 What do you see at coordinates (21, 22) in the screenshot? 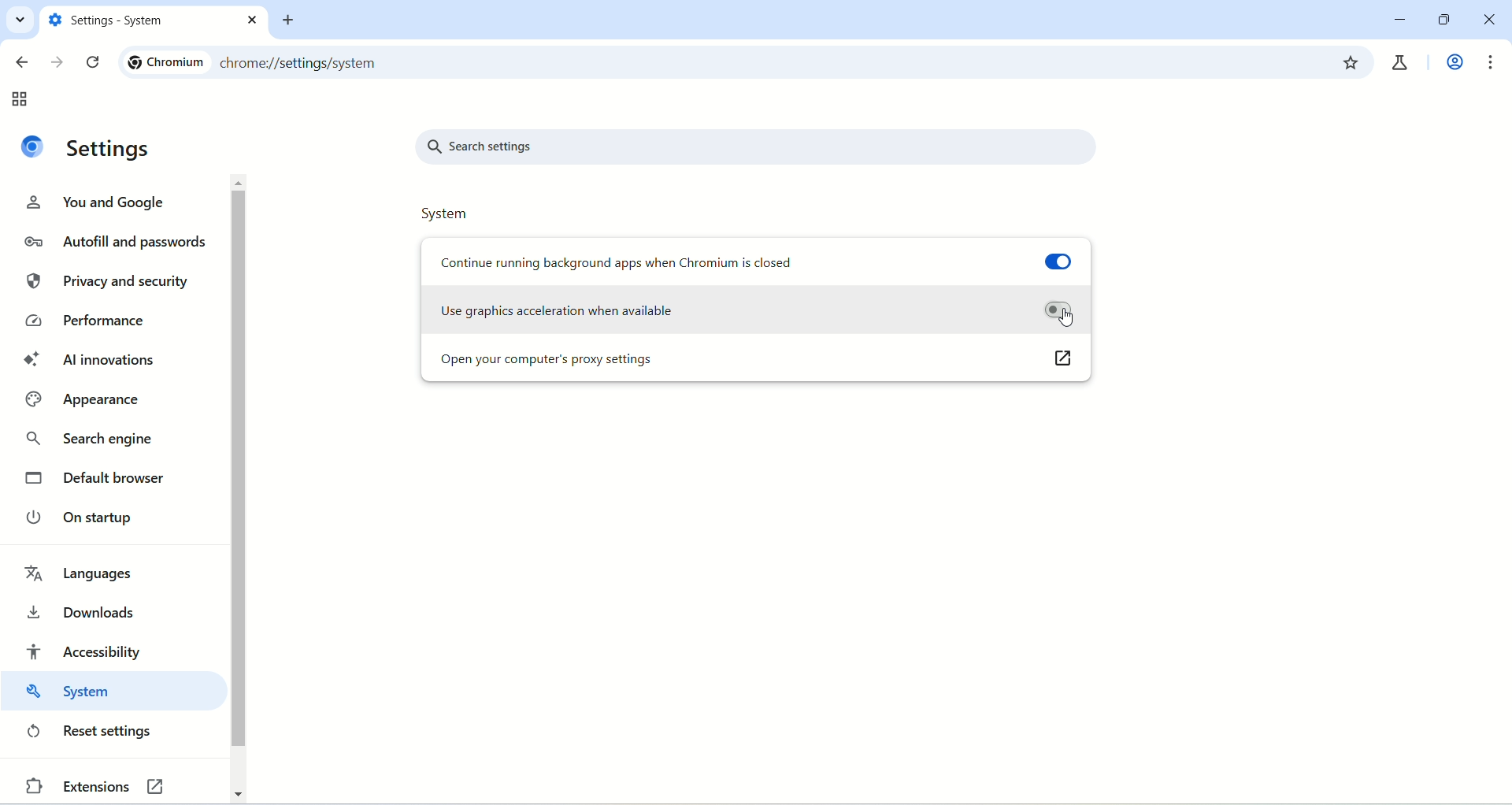
I see `search tabs` at bounding box center [21, 22].